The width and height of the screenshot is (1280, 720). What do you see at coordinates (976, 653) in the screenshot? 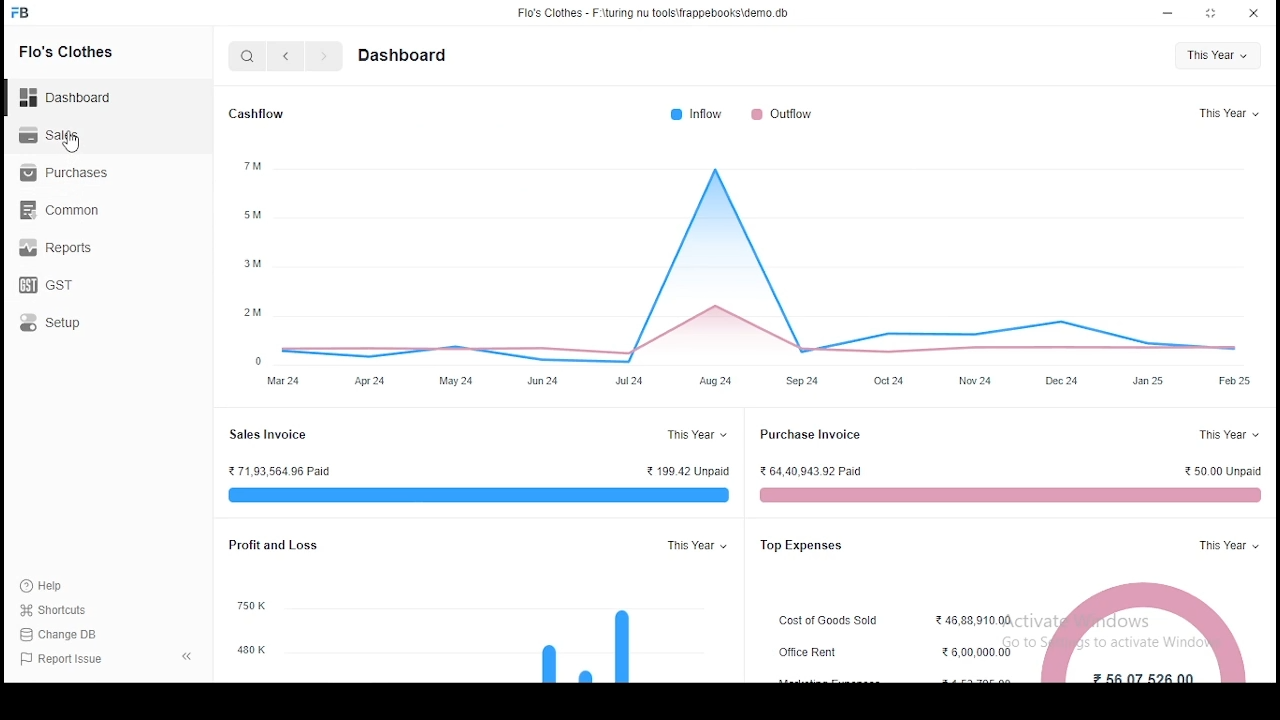
I see `6,00,000.00` at bounding box center [976, 653].